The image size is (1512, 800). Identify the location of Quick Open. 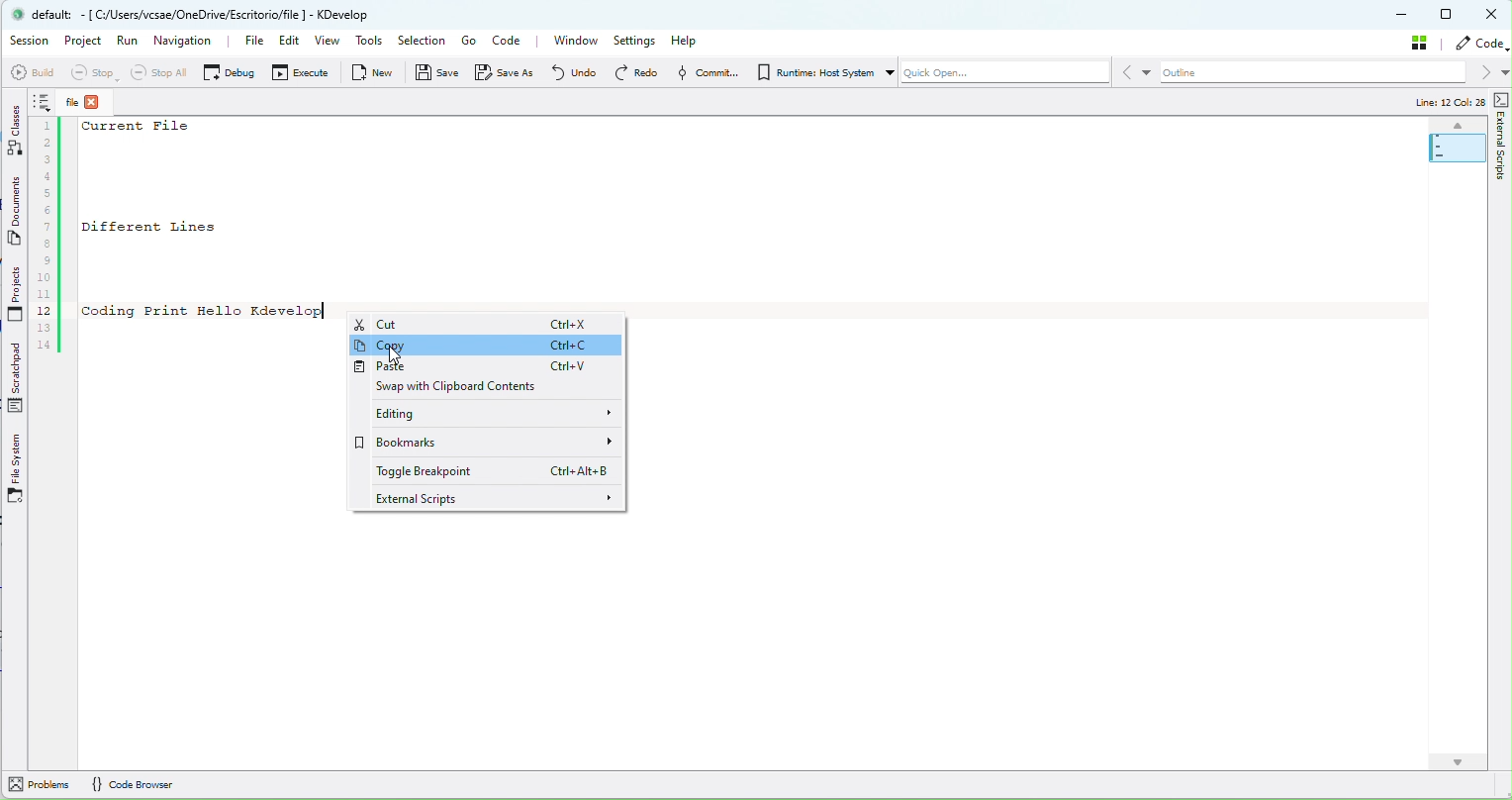
(996, 75).